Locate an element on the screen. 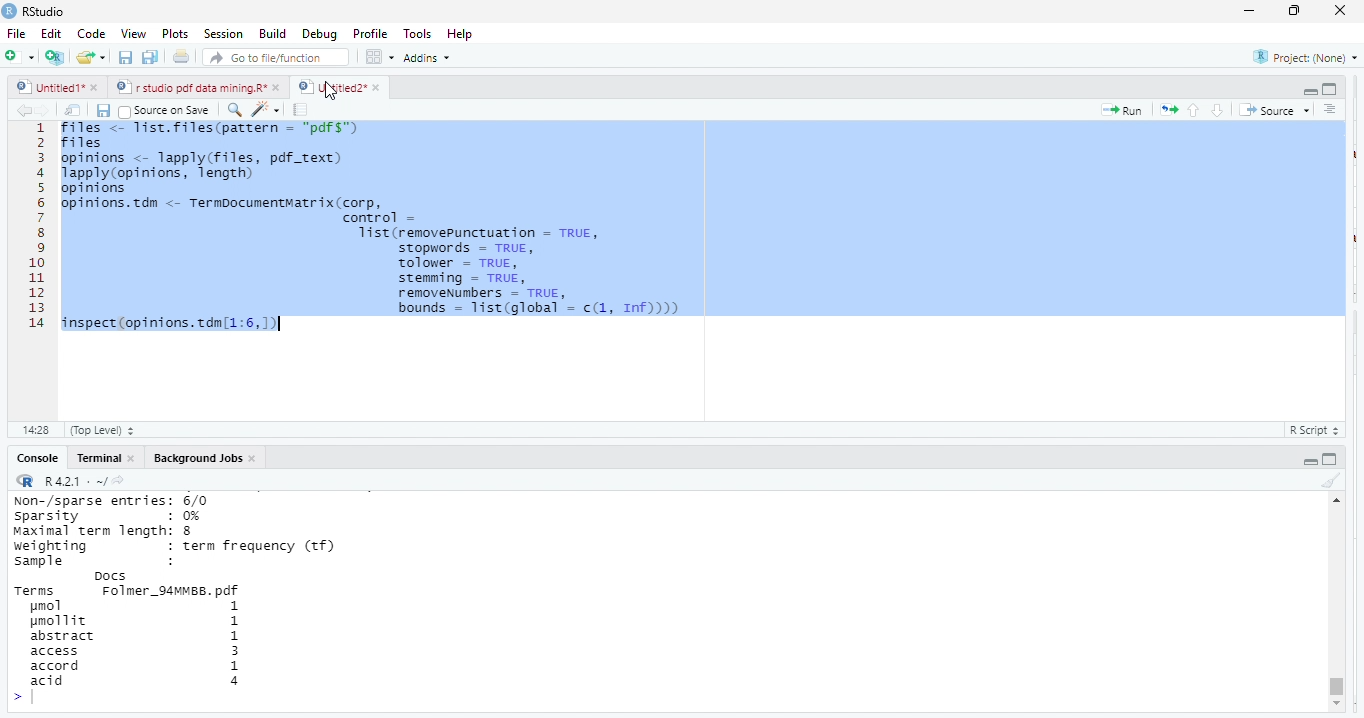 The image size is (1364, 718). clear console is located at coordinates (1330, 478).